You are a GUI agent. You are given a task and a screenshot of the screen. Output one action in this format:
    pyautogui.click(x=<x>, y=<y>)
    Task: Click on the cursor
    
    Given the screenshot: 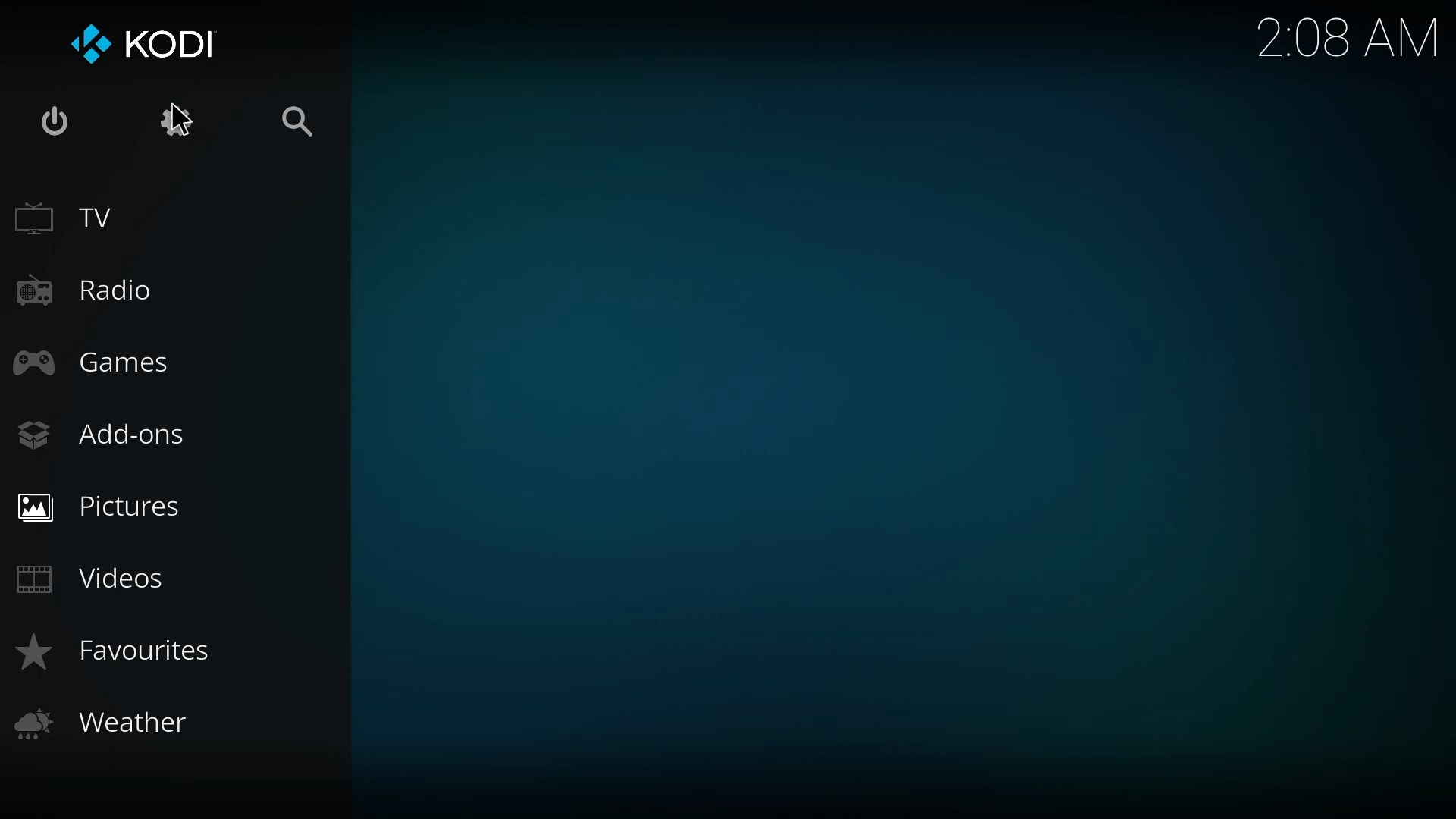 What is the action you would take?
    pyautogui.click(x=180, y=120)
    